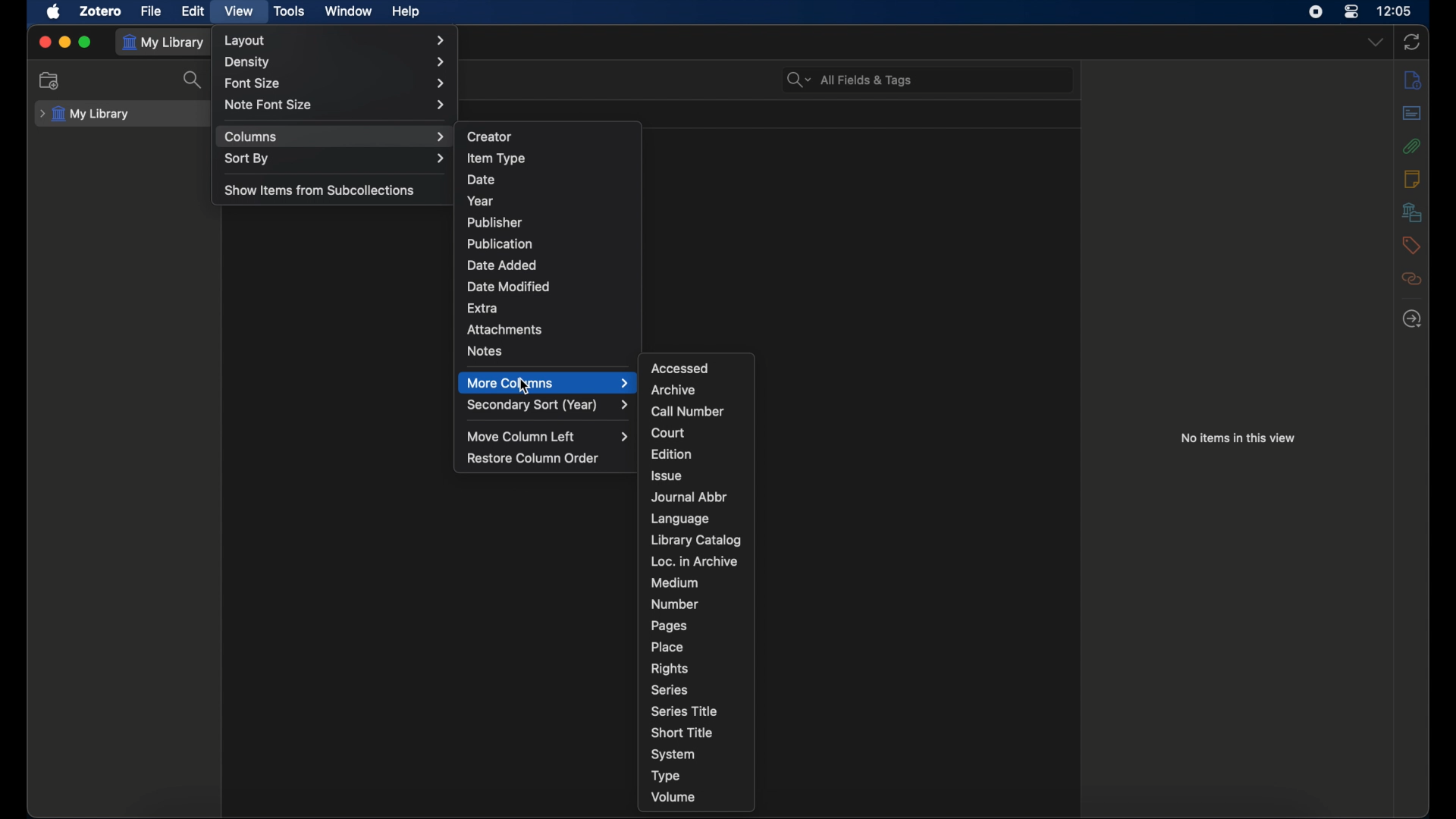 This screenshot has height=819, width=1456. I want to click on attachments, so click(1411, 146).